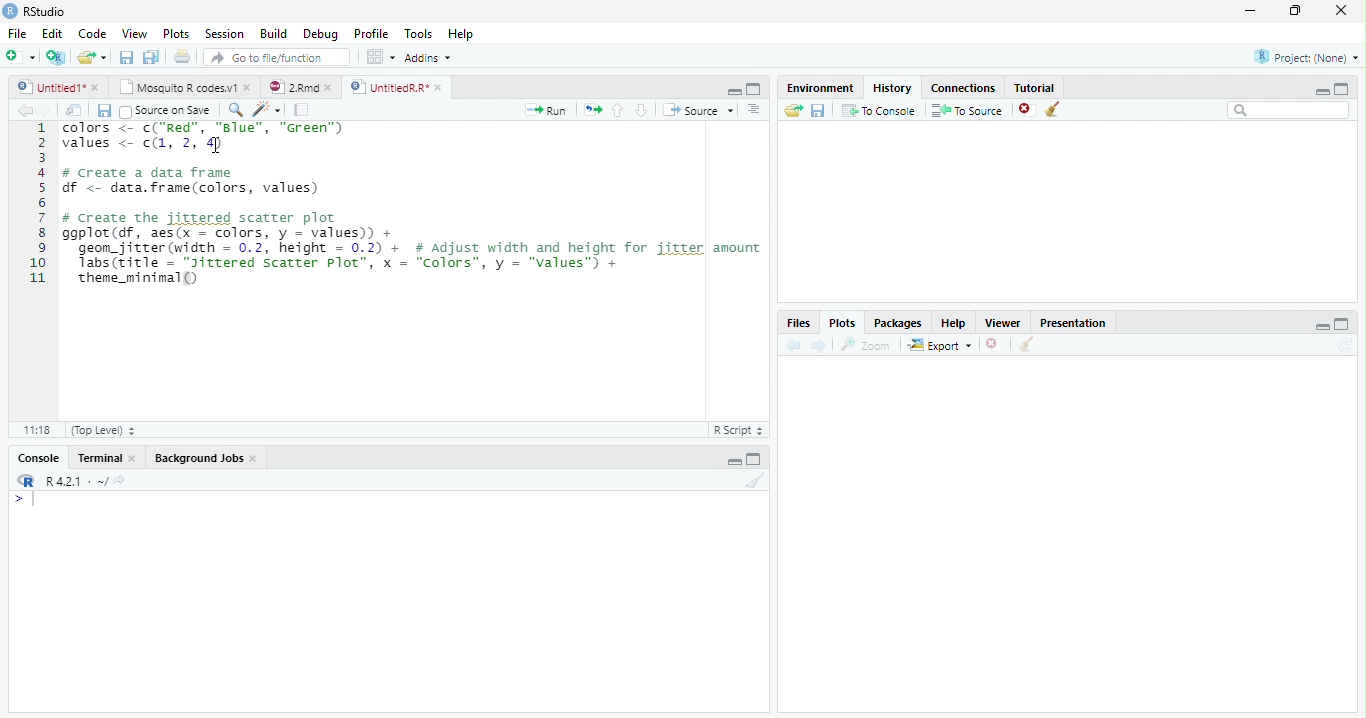  Describe the element at coordinates (954, 323) in the screenshot. I see `Help` at that location.